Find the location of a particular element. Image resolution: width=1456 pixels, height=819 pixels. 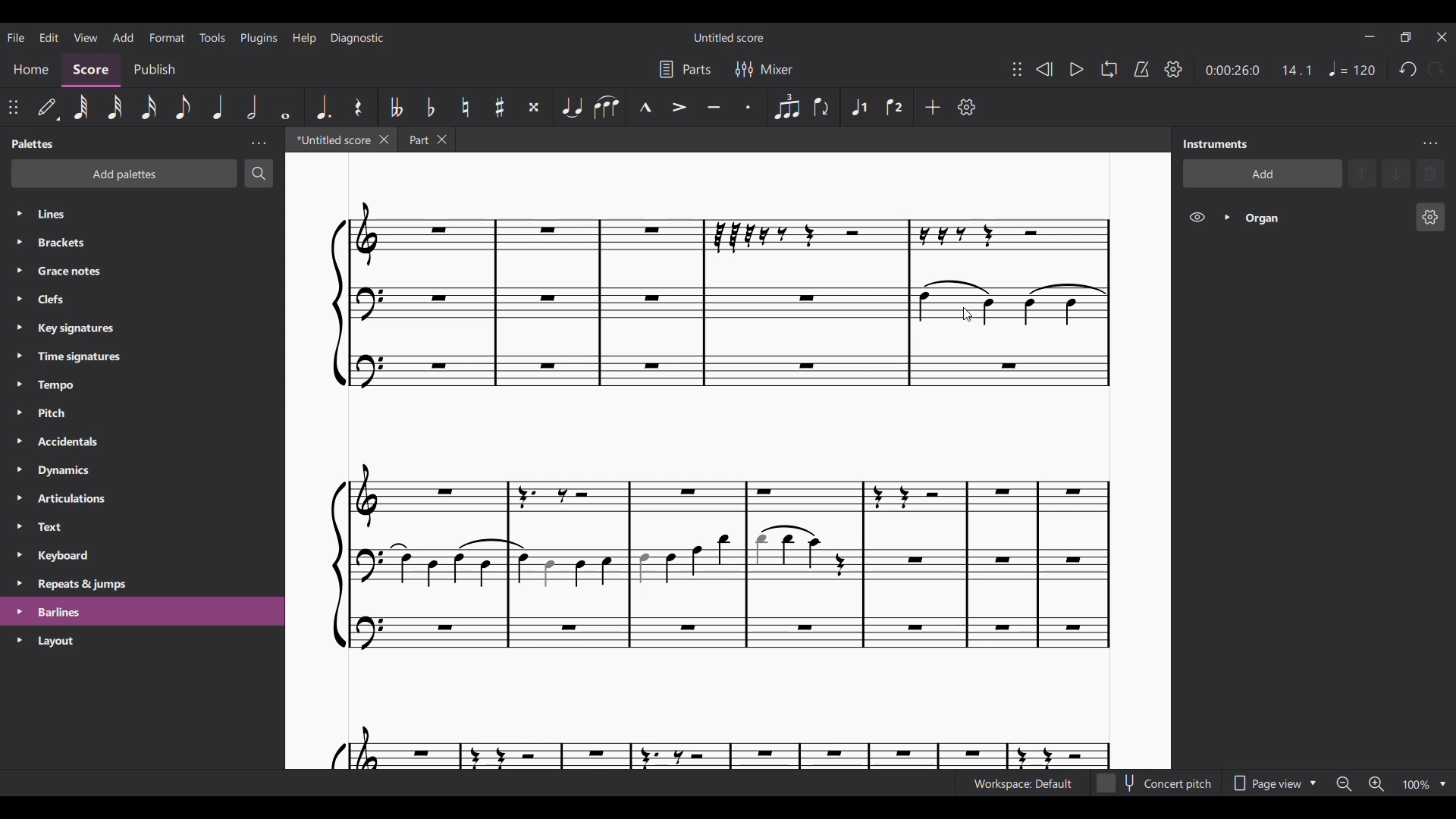

Toggle natural is located at coordinates (465, 107).